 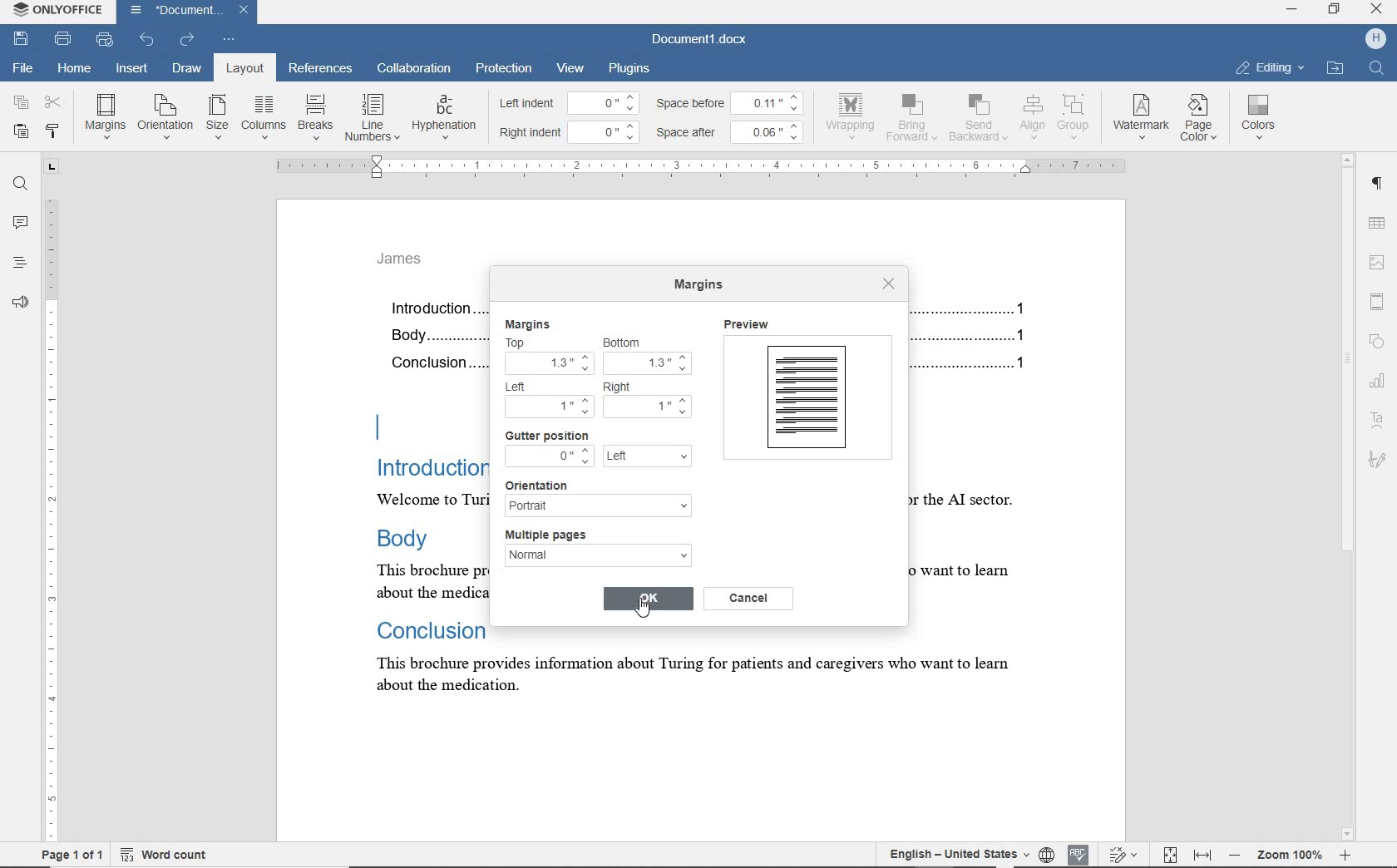 What do you see at coordinates (53, 132) in the screenshot?
I see `copy style` at bounding box center [53, 132].